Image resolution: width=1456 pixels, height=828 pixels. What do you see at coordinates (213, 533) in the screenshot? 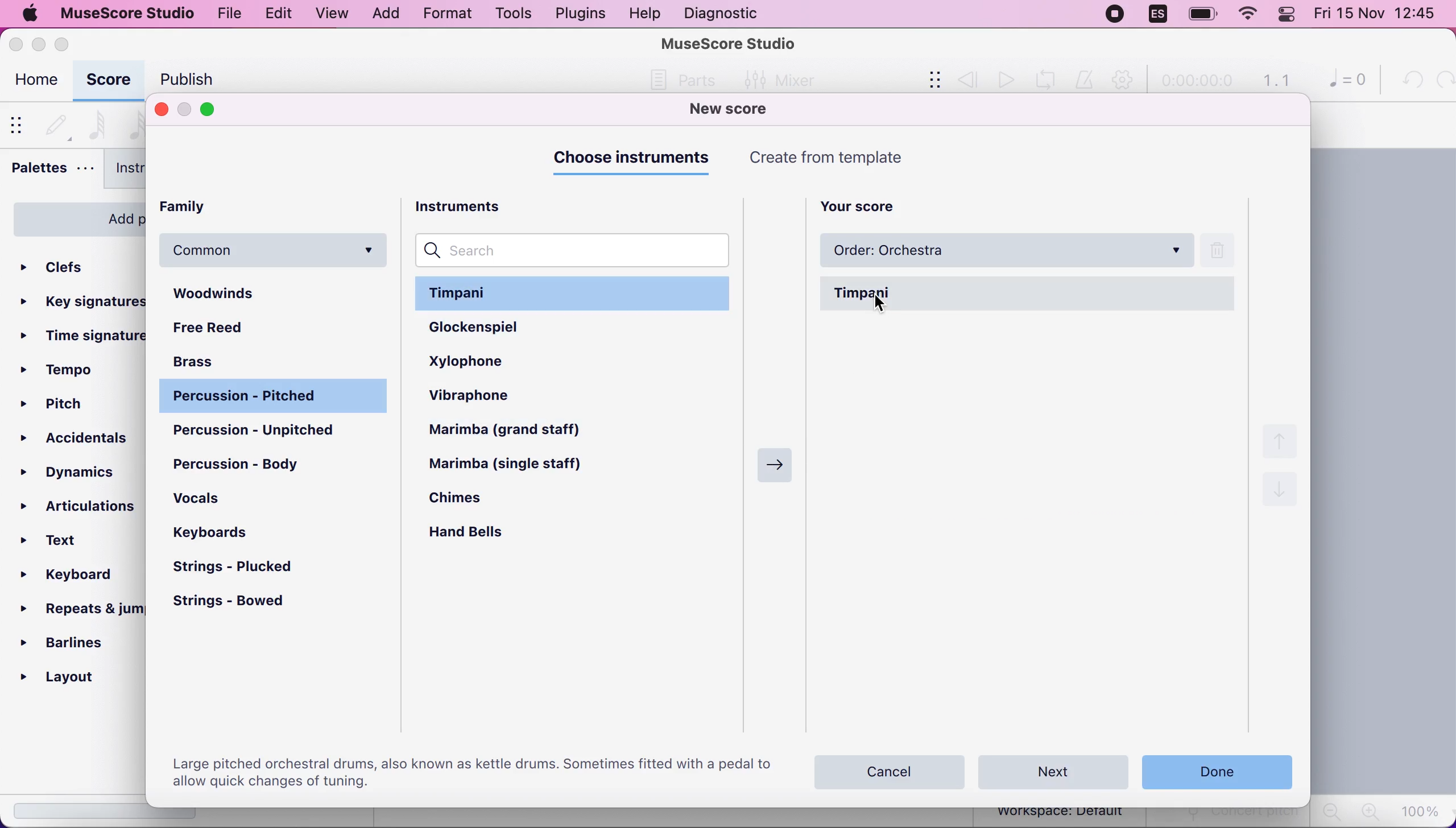
I see `keyboards` at bounding box center [213, 533].